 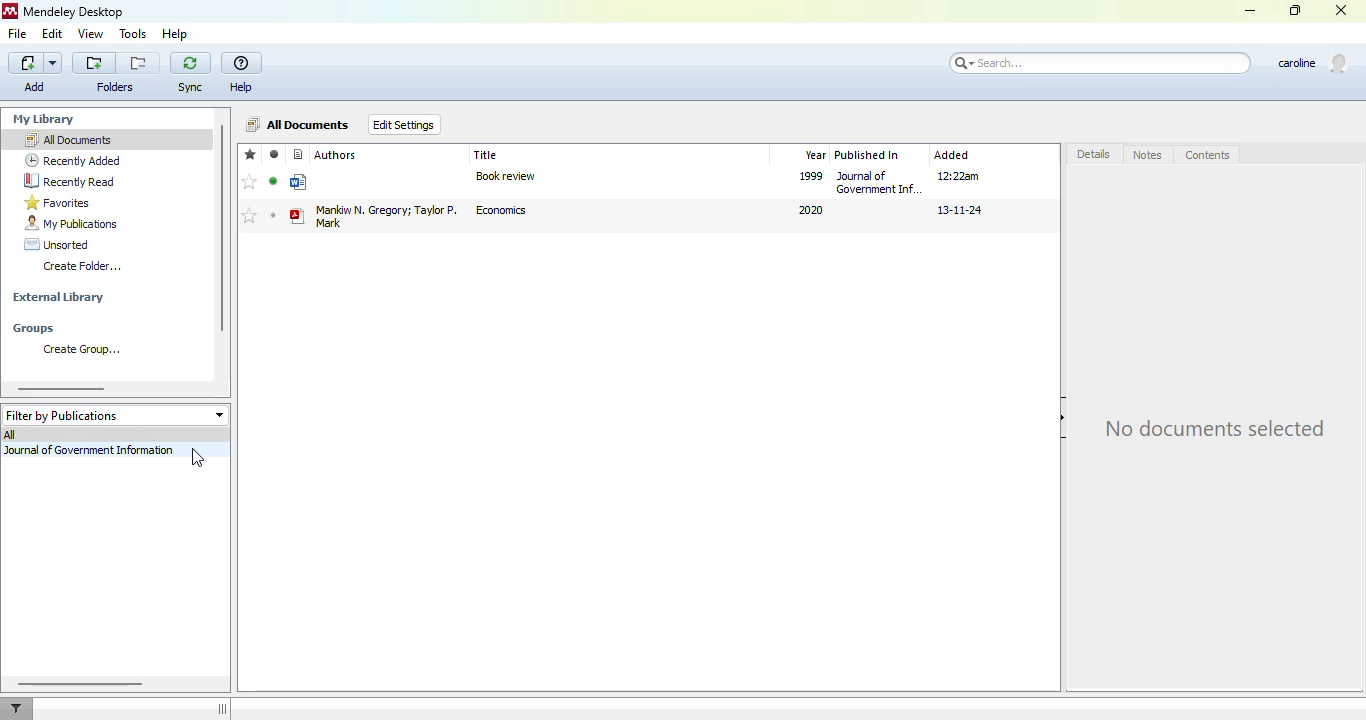 What do you see at coordinates (250, 216) in the screenshot?
I see `mark as favorites` at bounding box center [250, 216].